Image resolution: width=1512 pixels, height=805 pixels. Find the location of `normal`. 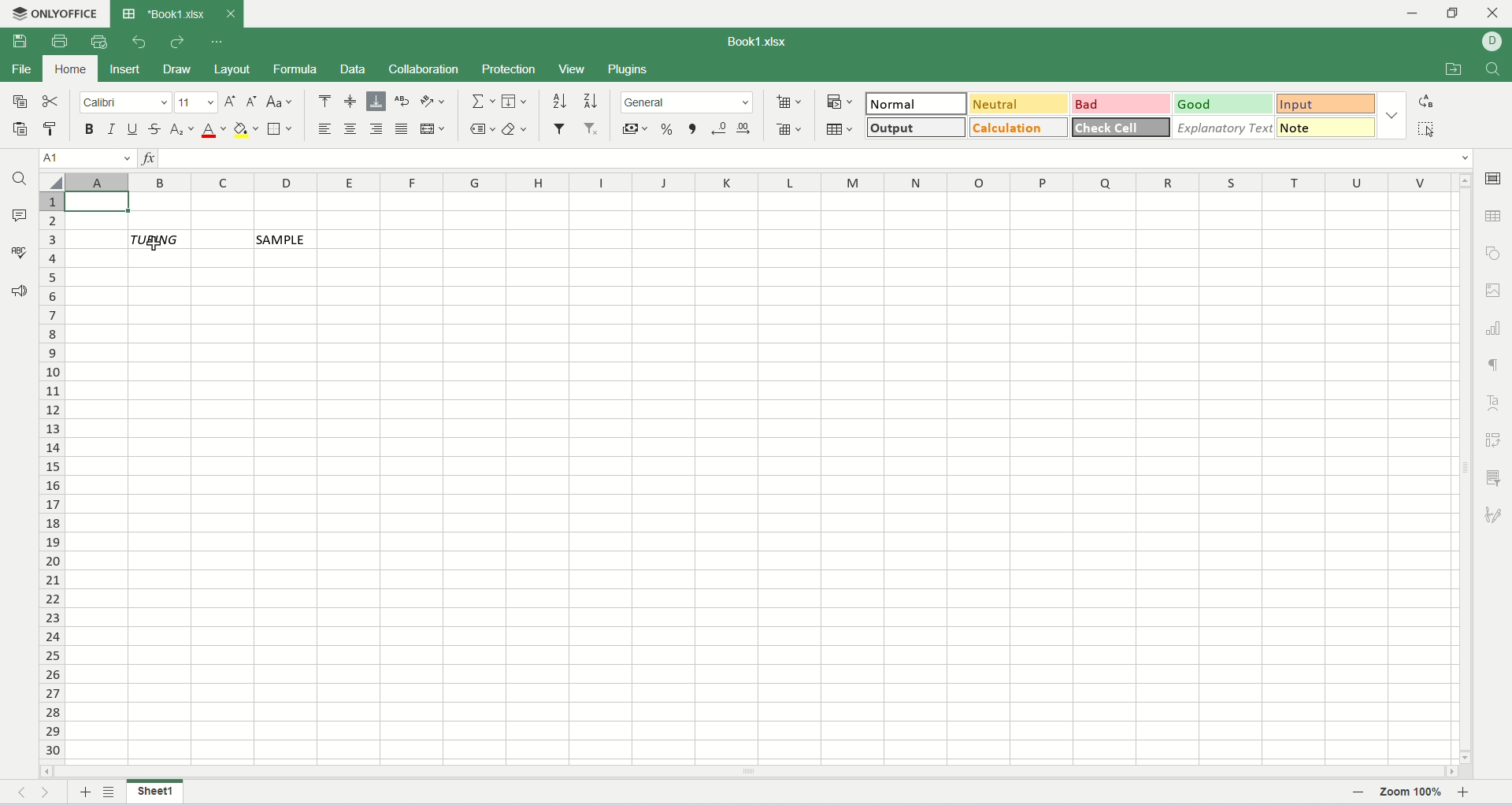

normal is located at coordinates (914, 102).